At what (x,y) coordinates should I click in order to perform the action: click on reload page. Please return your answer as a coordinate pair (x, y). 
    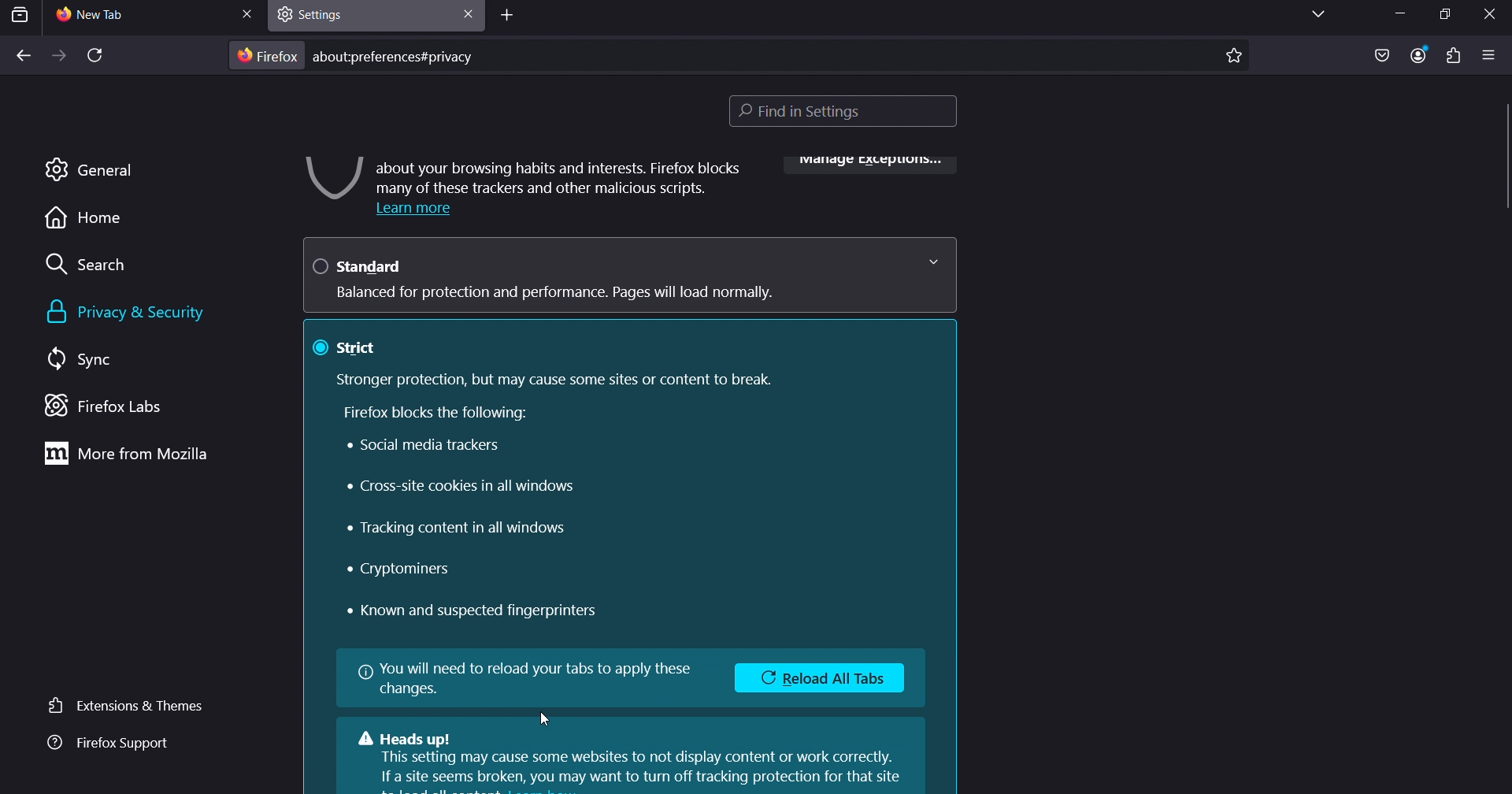
    Looking at the image, I should click on (94, 58).